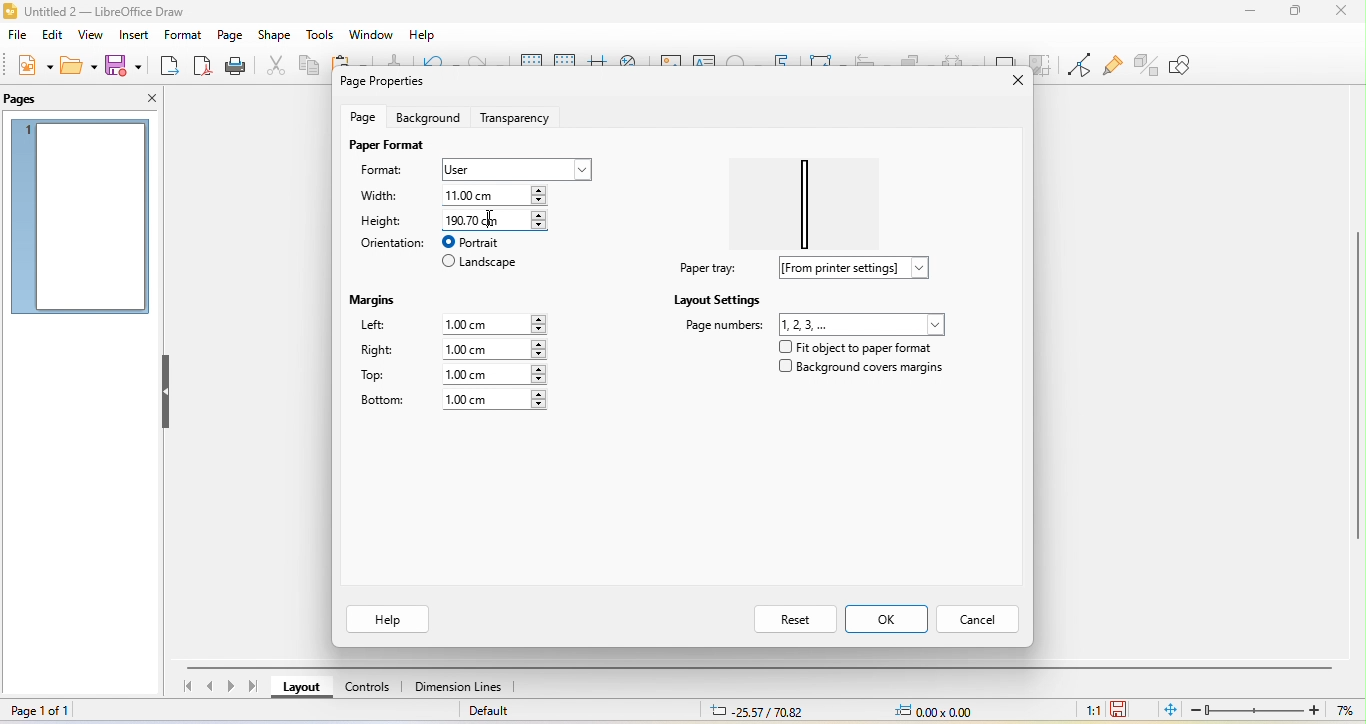 Image resolution: width=1366 pixels, height=724 pixels. Describe the element at coordinates (1276, 710) in the screenshot. I see `zoom` at that location.